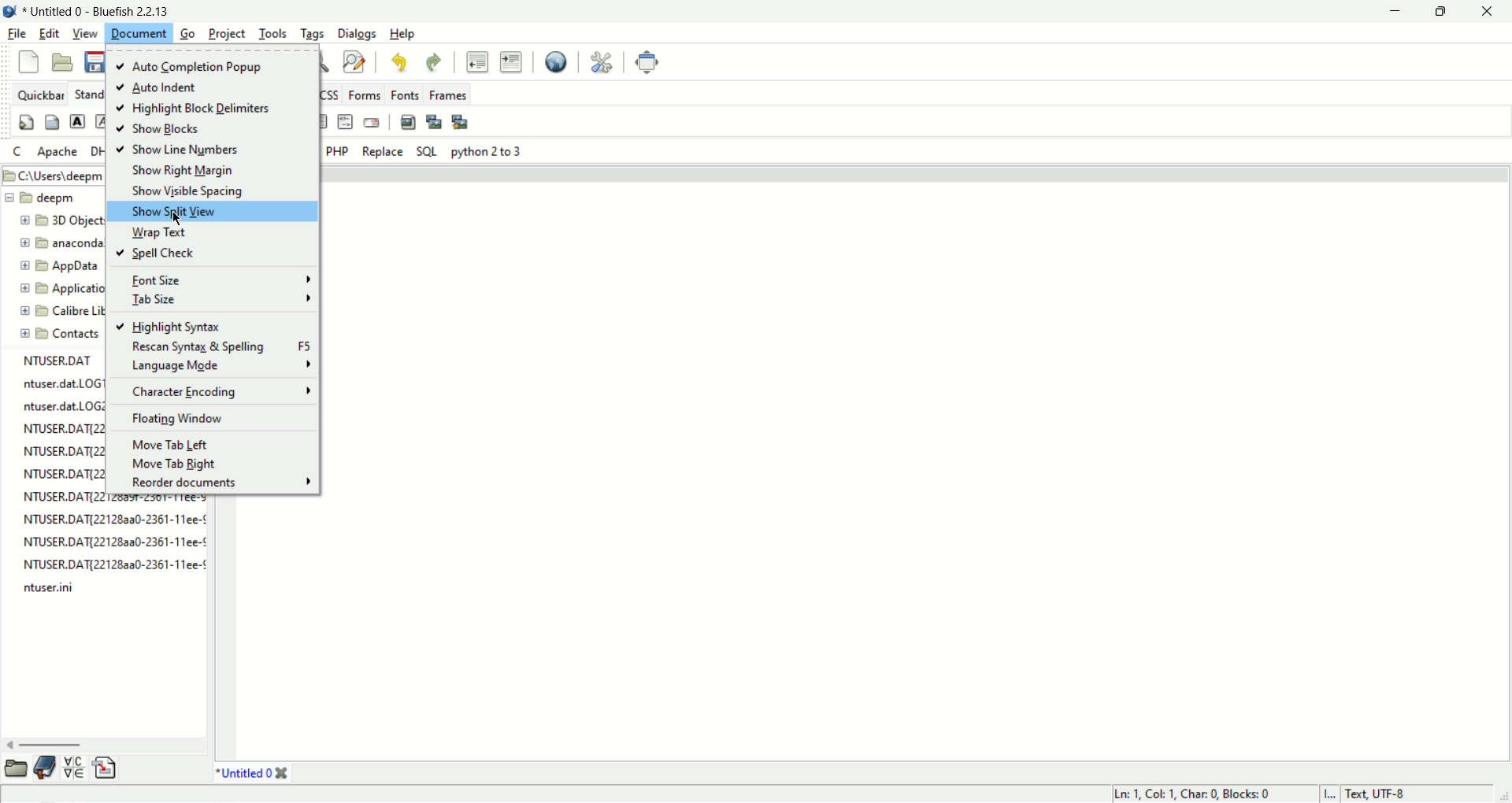  I want to click on document, so click(138, 33).